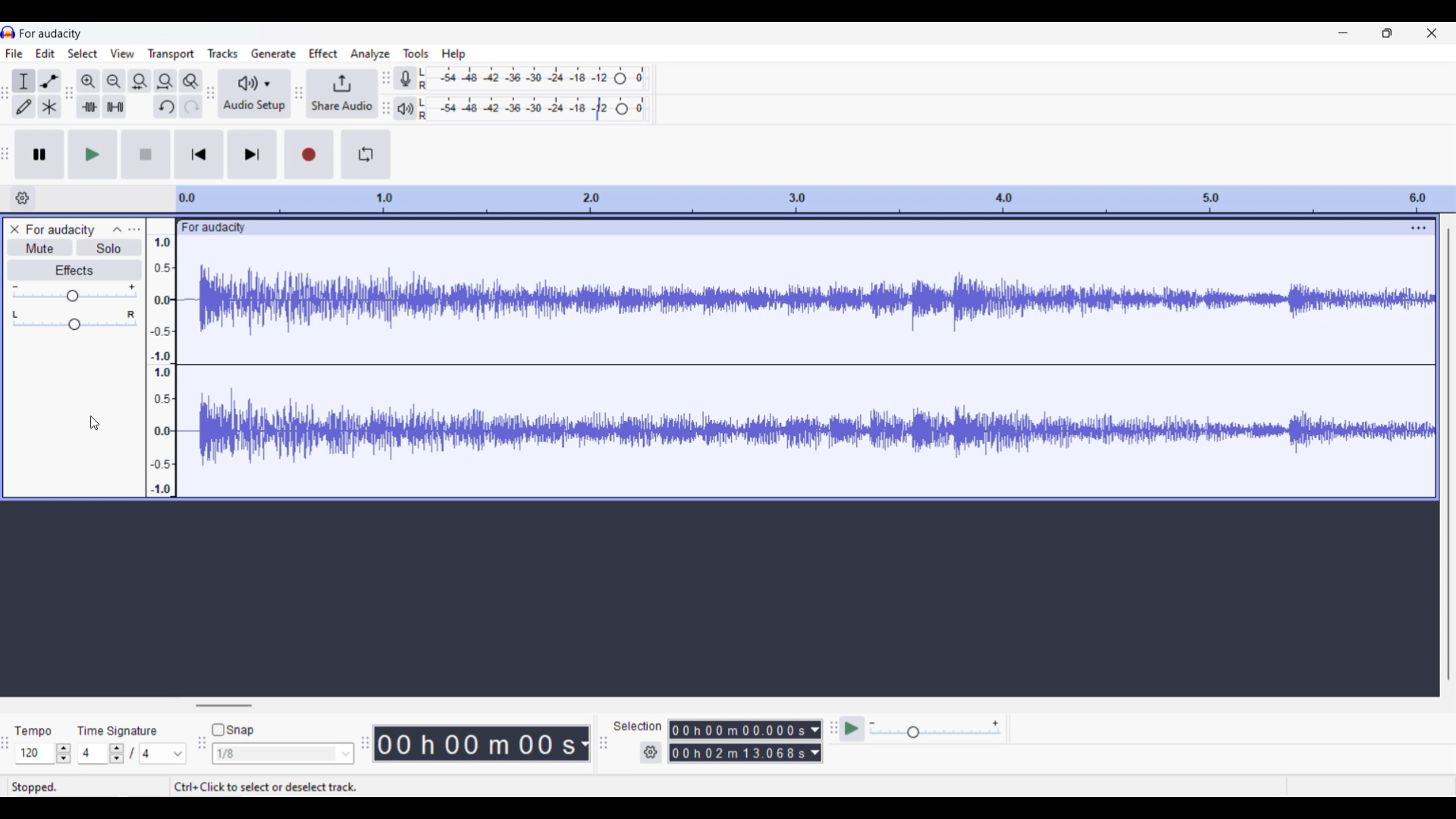 The height and width of the screenshot is (819, 1456). I want to click on Close interface, so click(1432, 33).